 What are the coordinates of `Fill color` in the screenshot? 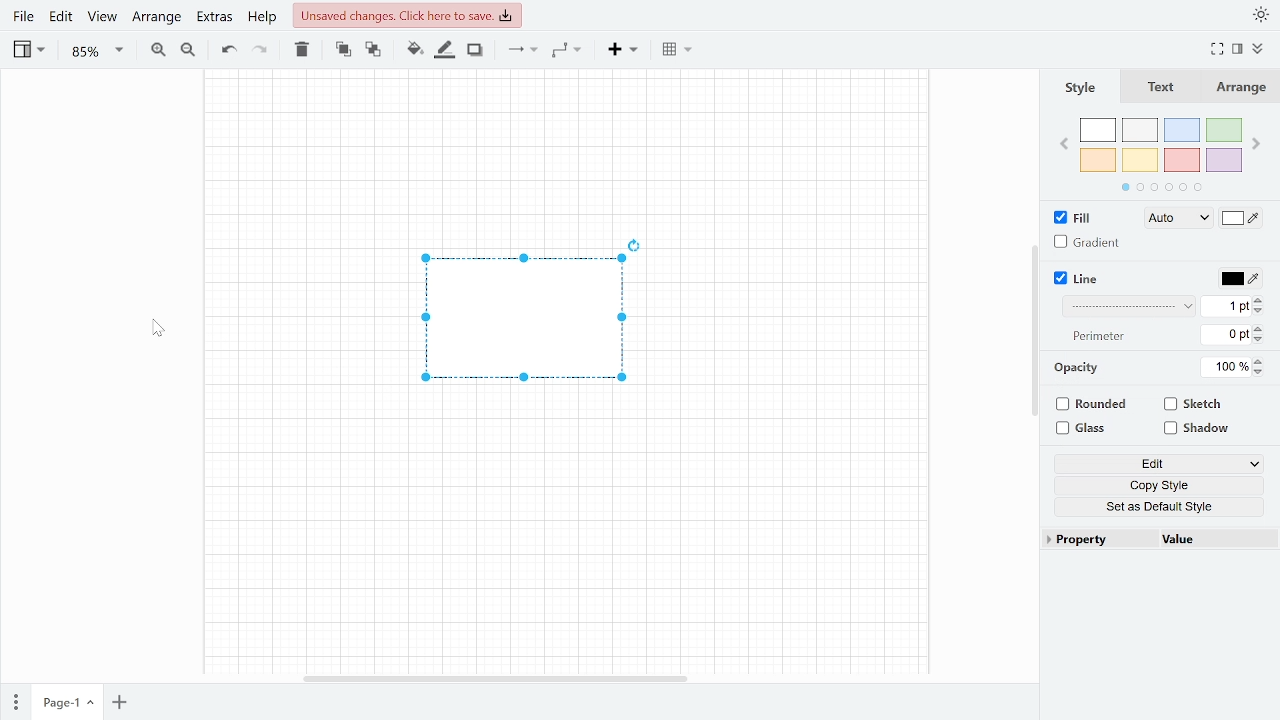 It's located at (414, 51).